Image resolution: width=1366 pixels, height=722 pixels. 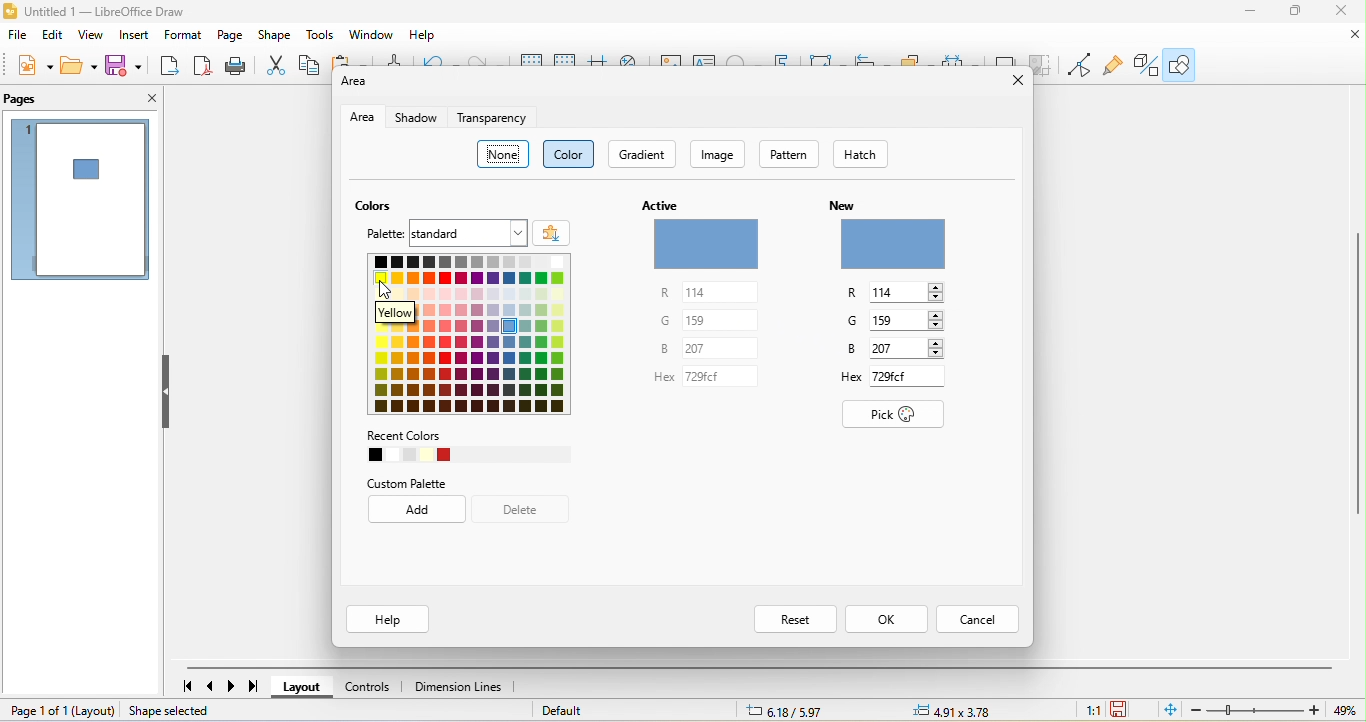 What do you see at coordinates (712, 320) in the screenshot?
I see `g 159` at bounding box center [712, 320].